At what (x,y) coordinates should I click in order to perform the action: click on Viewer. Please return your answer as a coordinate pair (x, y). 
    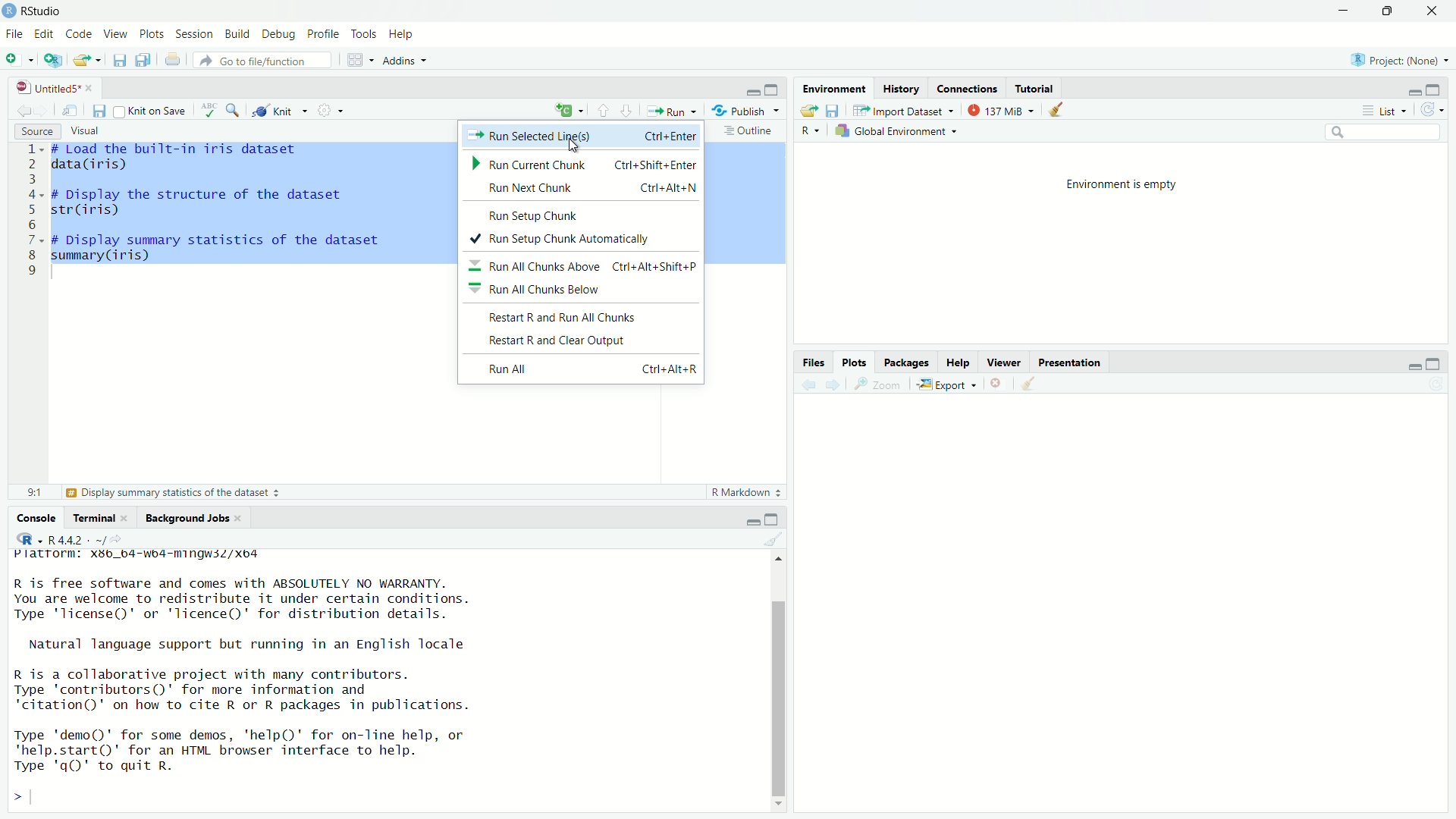
    Looking at the image, I should click on (1003, 360).